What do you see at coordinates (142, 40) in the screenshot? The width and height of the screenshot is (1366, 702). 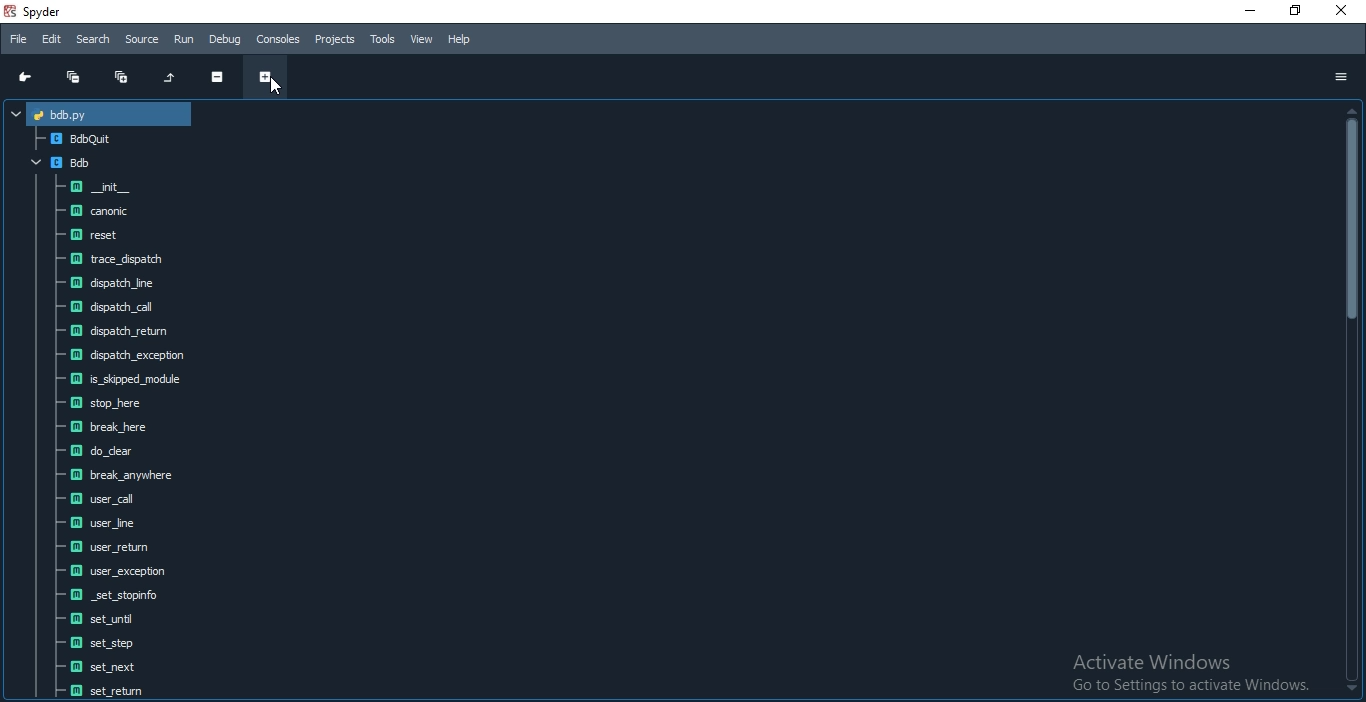 I see `Source` at bounding box center [142, 40].